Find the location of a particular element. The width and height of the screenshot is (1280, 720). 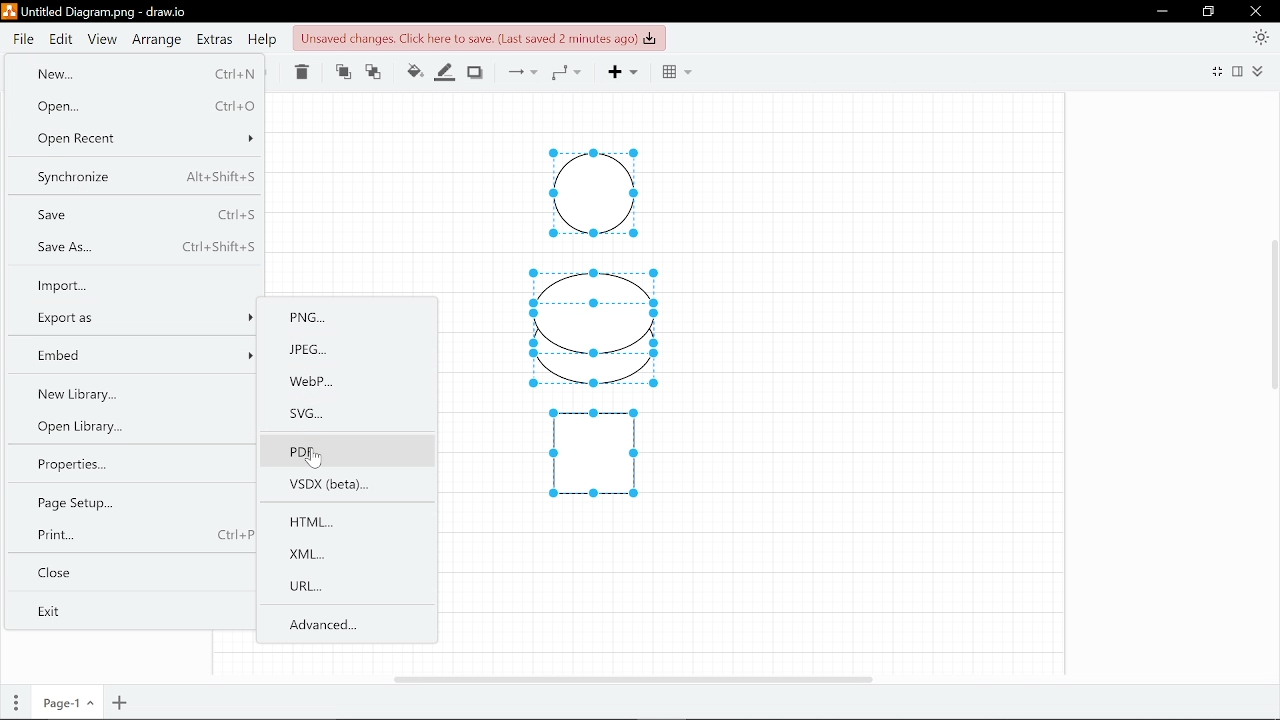

PNG is located at coordinates (345, 320).